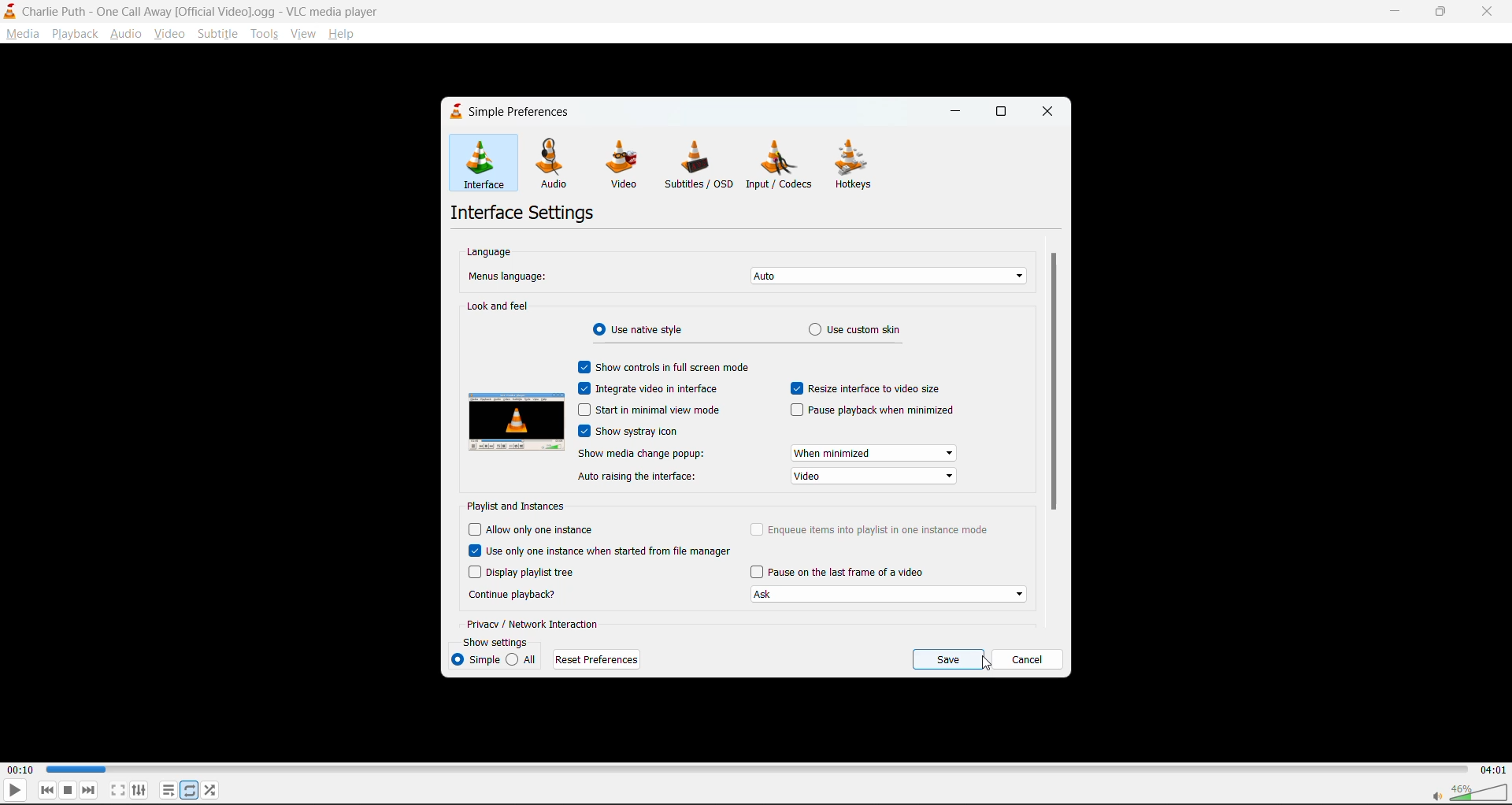 This screenshot has width=1512, height=805. I want to click on auto, so click(885, 277).